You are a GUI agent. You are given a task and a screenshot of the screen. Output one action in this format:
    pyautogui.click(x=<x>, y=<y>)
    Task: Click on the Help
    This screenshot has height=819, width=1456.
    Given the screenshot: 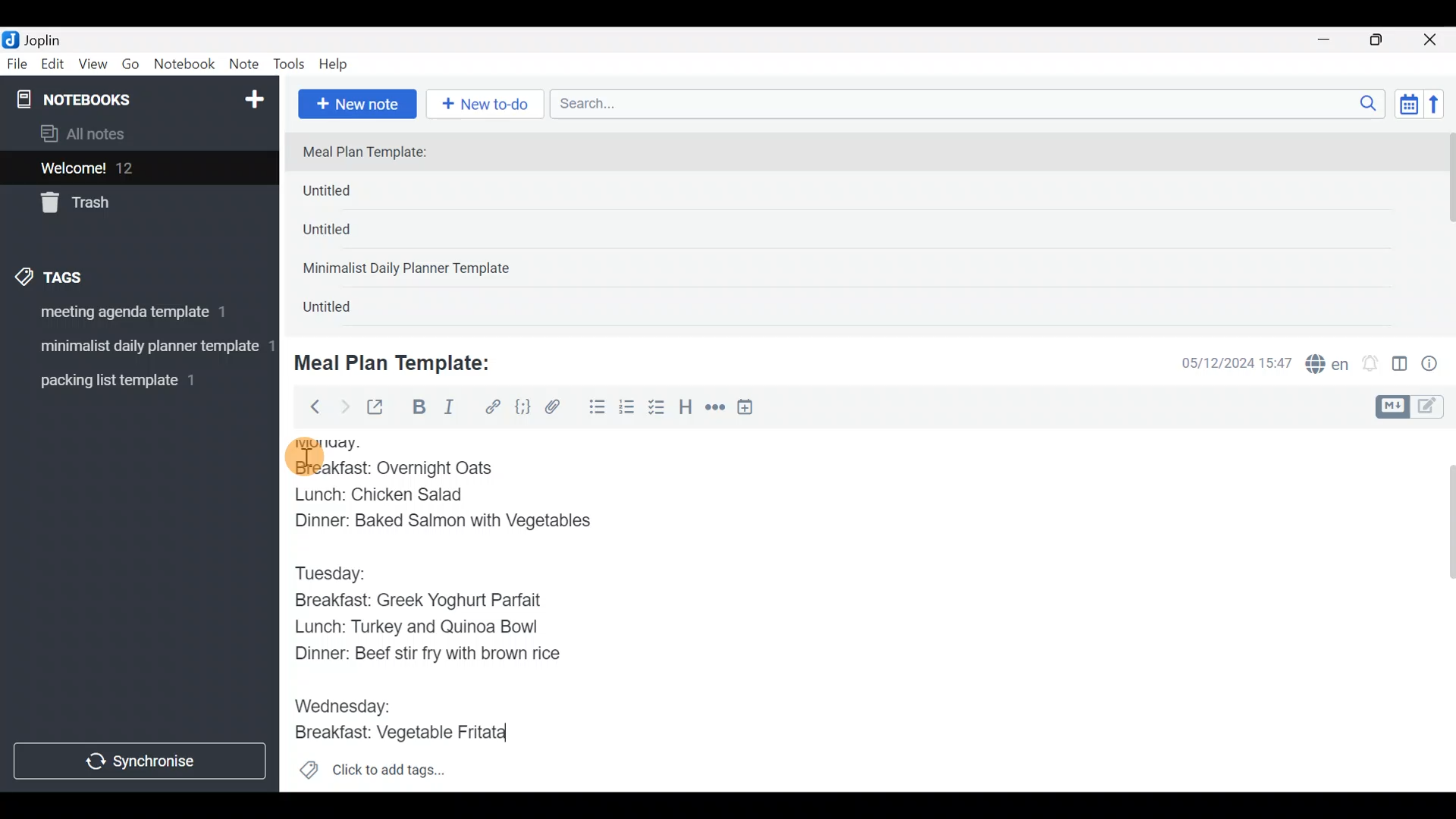 What is the action you would take?
    pyautogui.click(x=339, y=61)
    